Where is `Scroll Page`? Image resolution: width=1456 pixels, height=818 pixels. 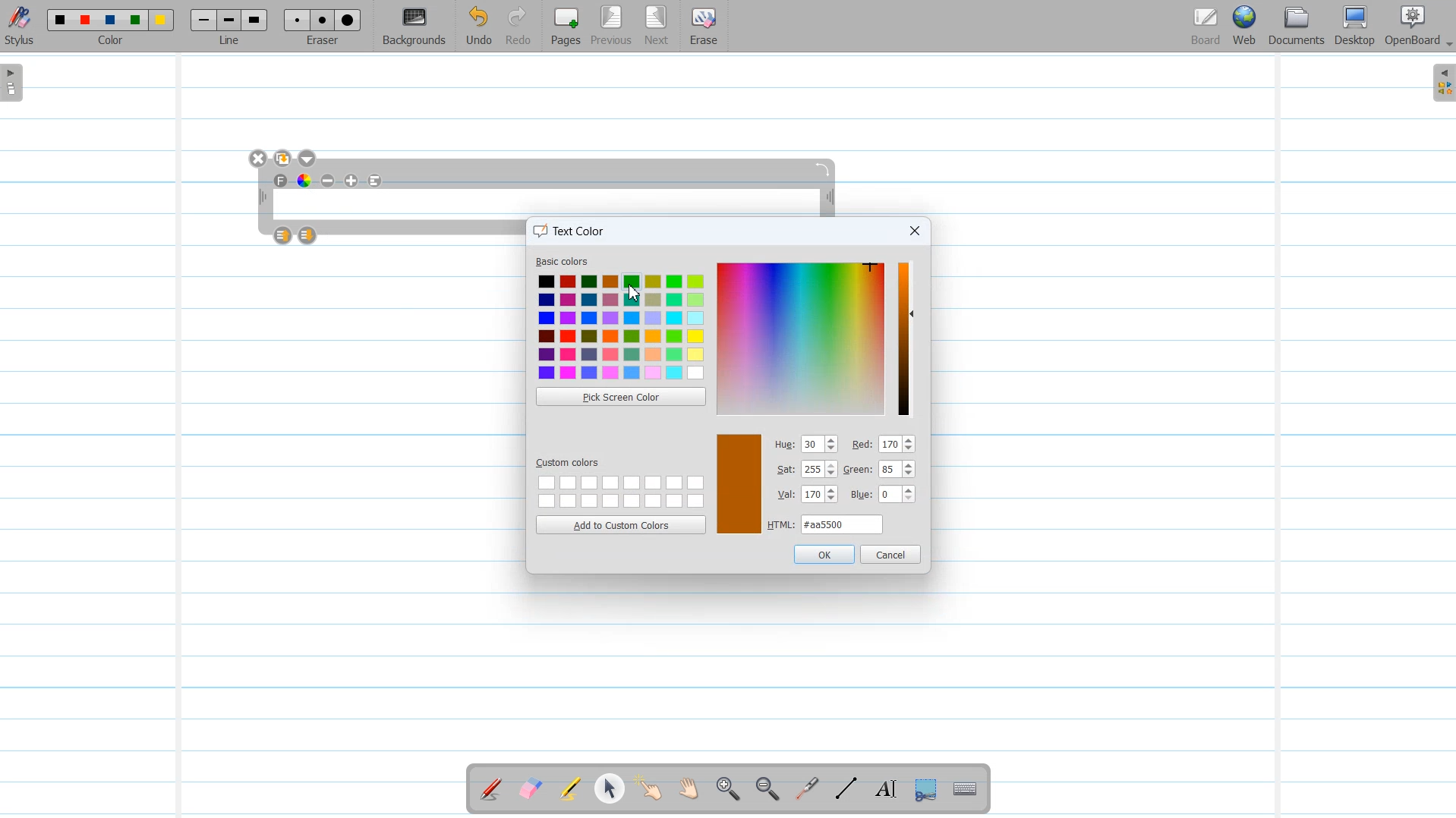
Scroll Page is located at coordinates (689, 790).